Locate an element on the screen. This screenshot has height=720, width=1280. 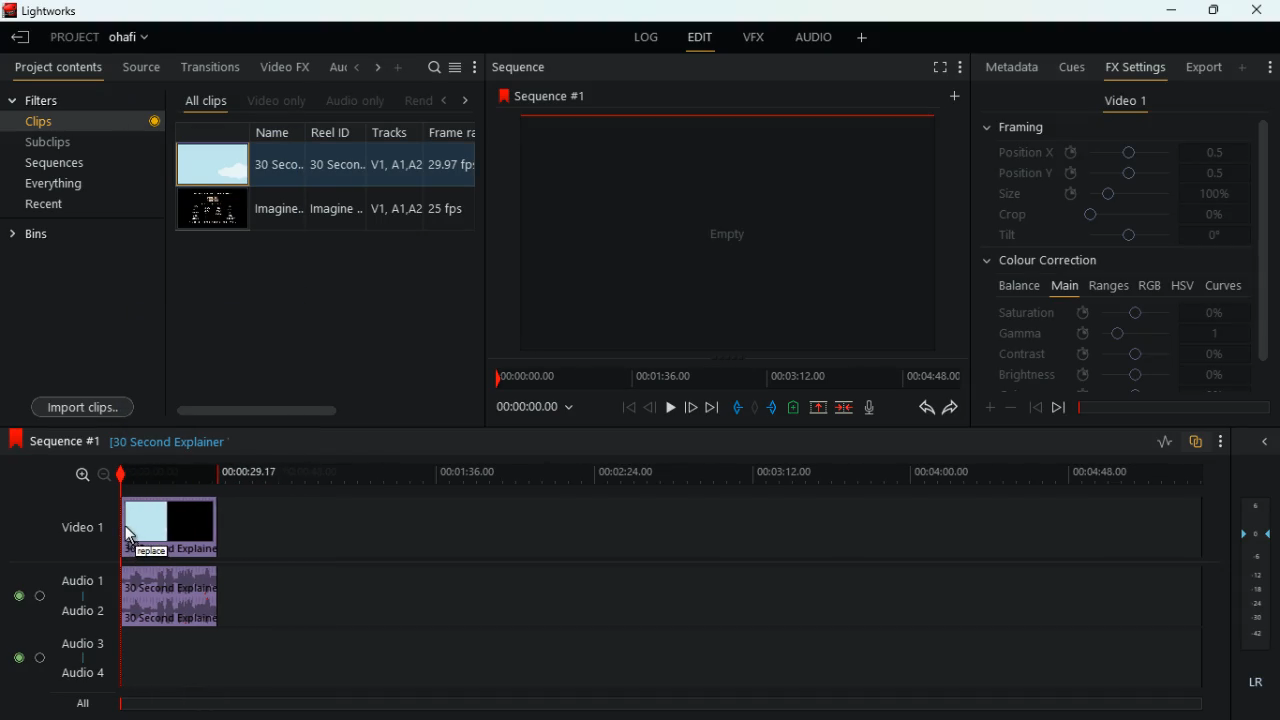
add is located at coordinates (953, 95).